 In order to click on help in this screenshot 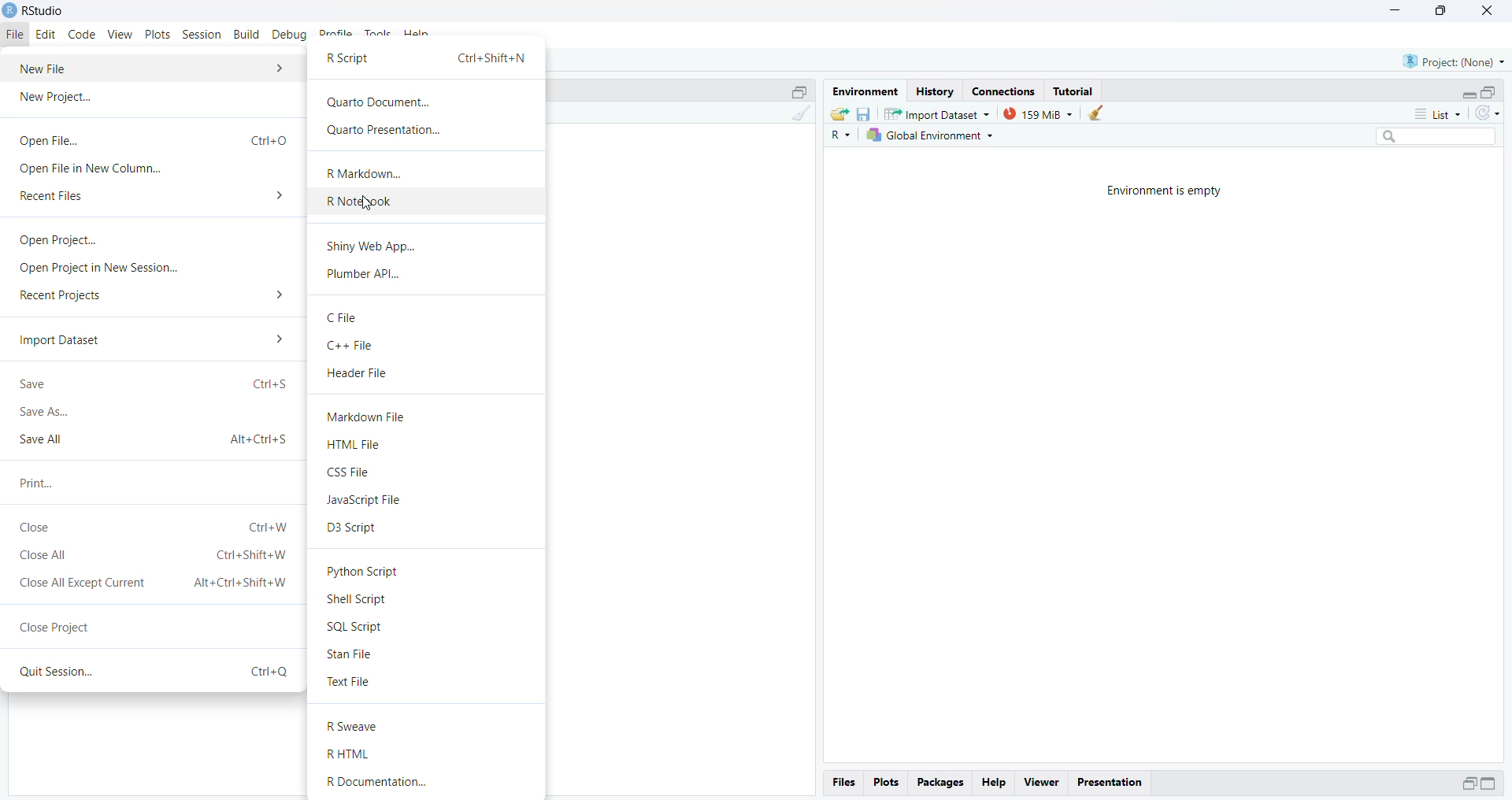, I will do `click(418, 35)`.